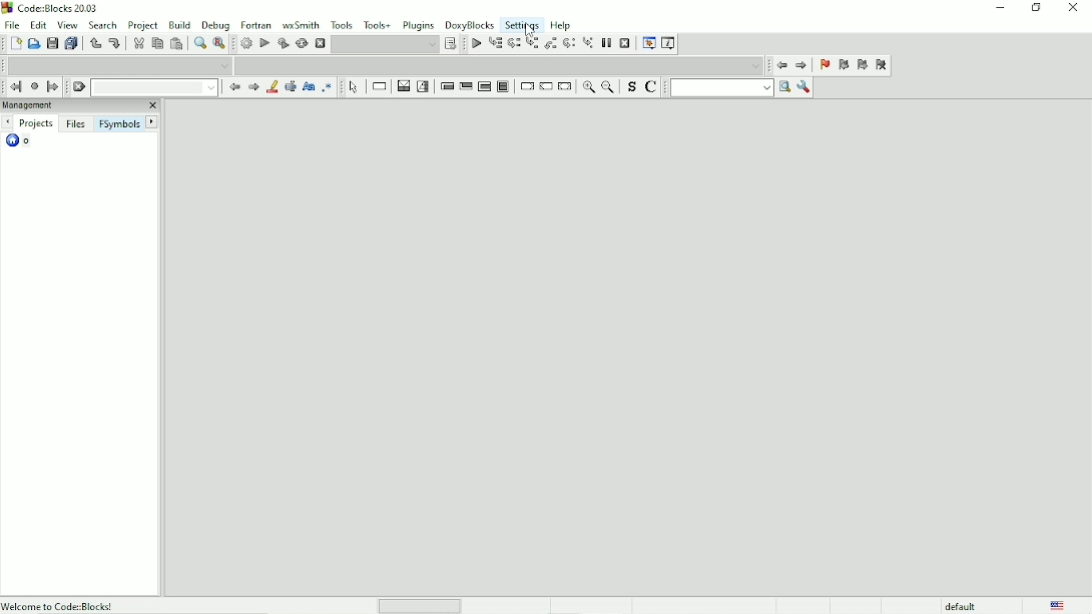  What do you see at coordinates (523, 24) in the screenshot?
I see `Settings` at bounding box center [523, 24].